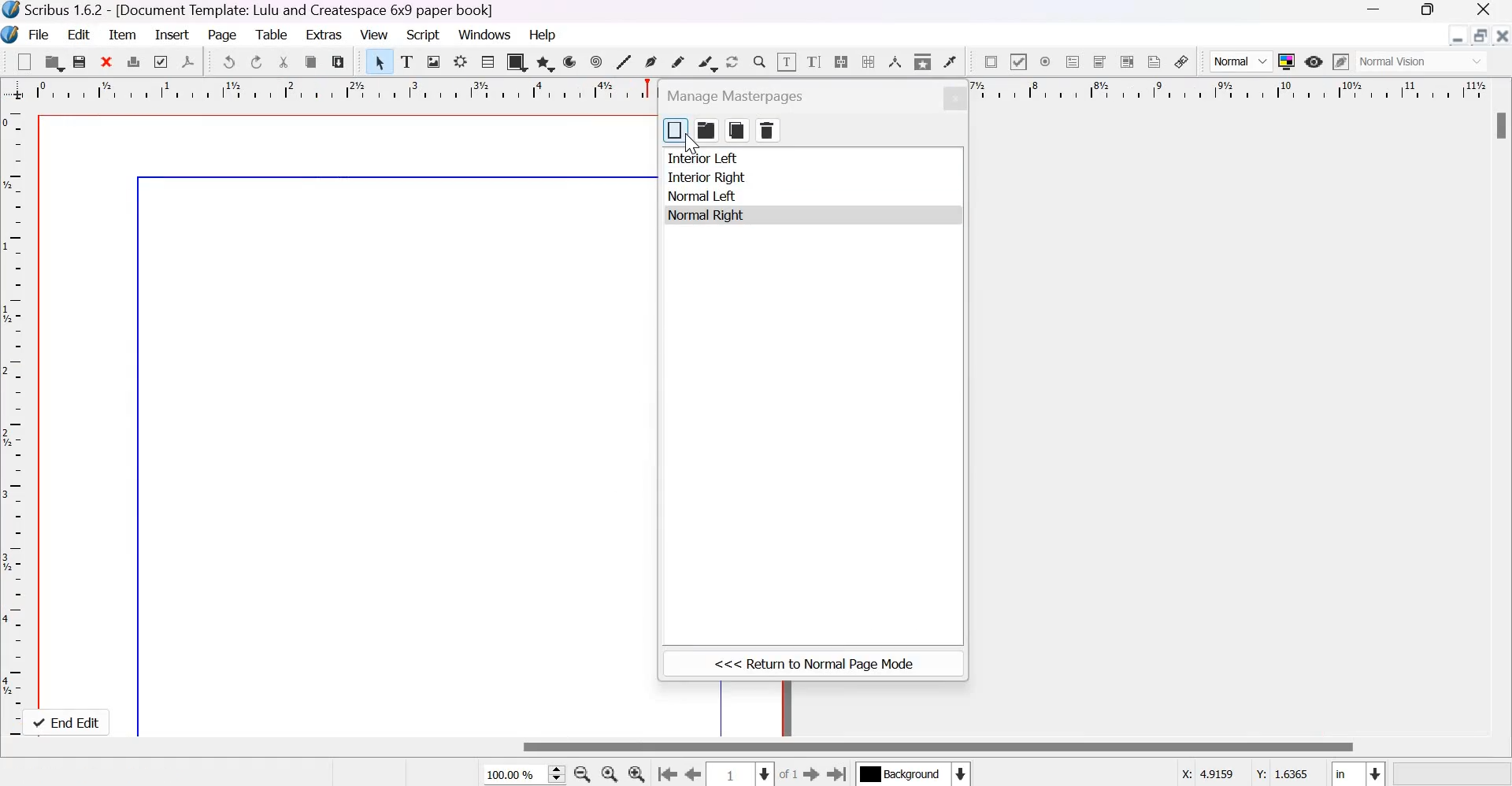  What do you see at coordinates (572, 61) in the screenshot?
I see `arc` at bounding box center [572, 61].